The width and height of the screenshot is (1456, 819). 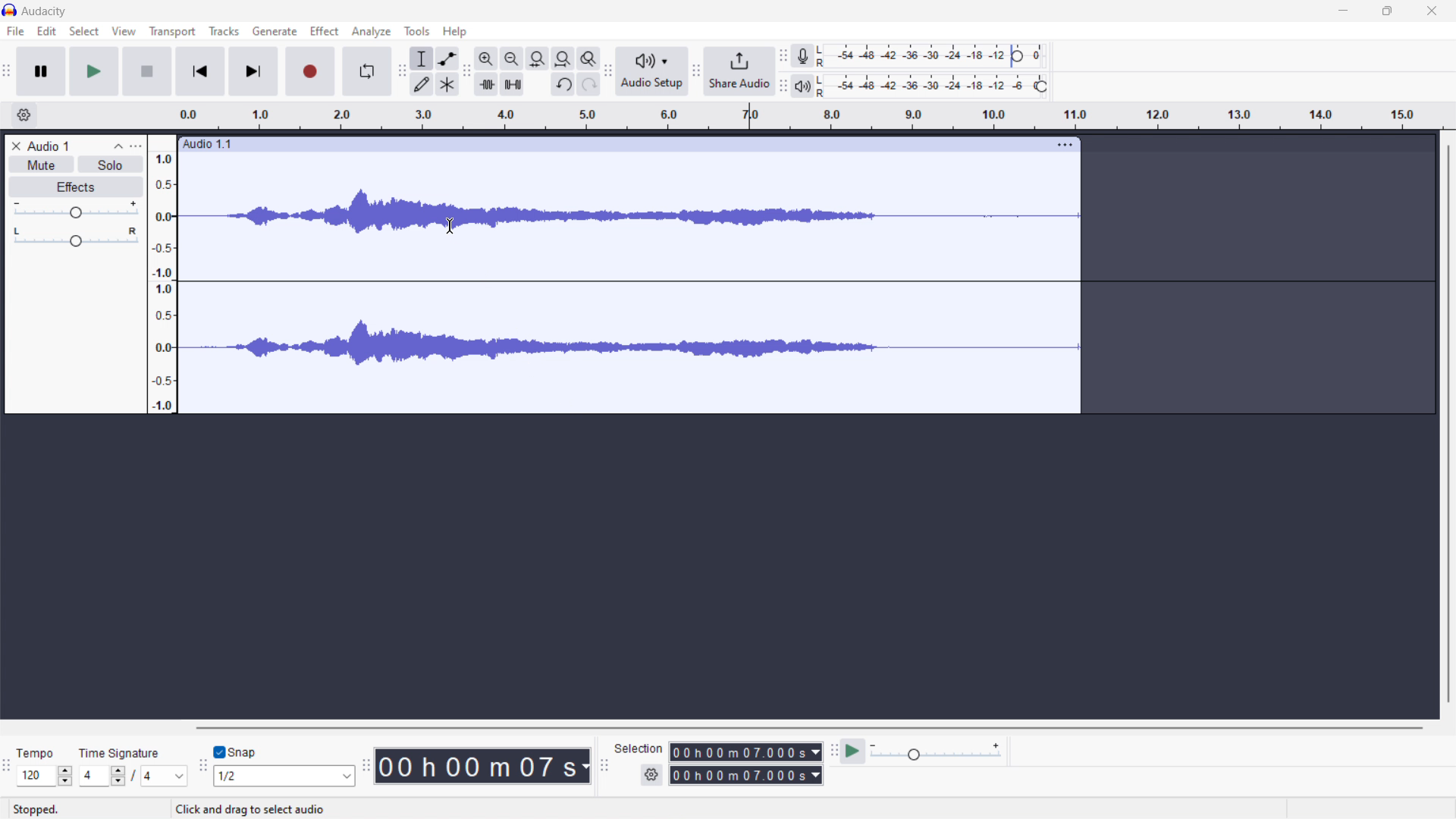 I want to click on tools toolbar, so click(x=402, y=71).